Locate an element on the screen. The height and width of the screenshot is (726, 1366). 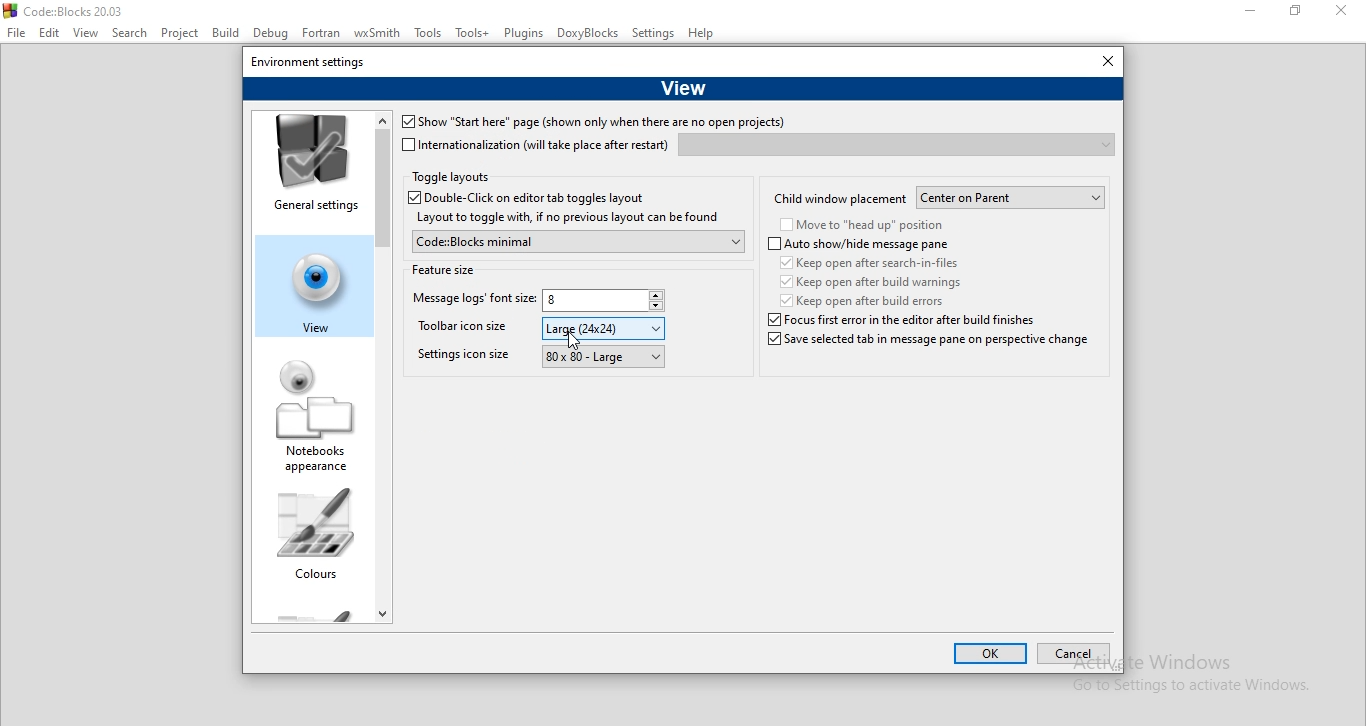
Project is located at coordinates (183, 33).